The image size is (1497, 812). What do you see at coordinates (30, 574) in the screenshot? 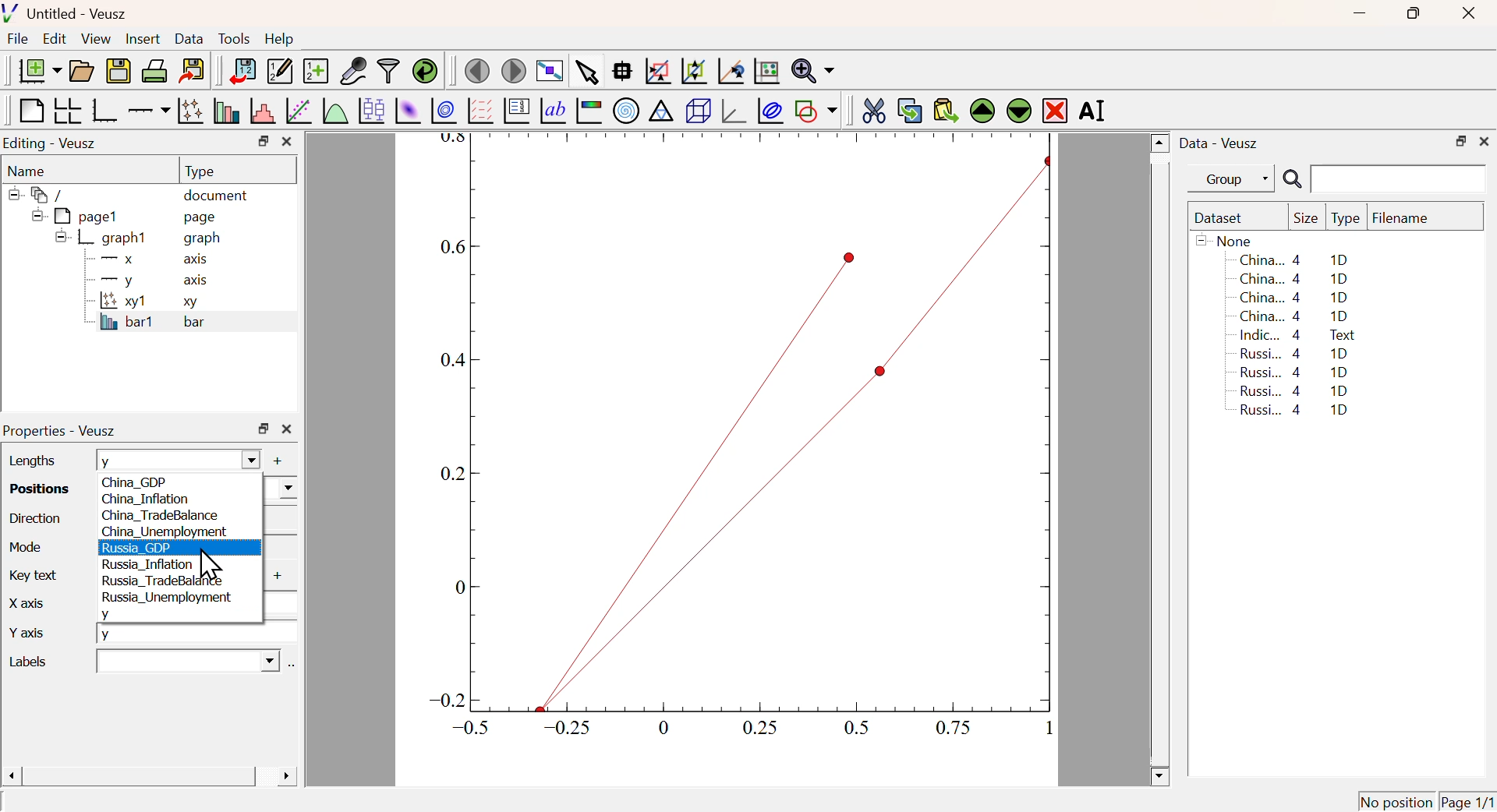
I see `Key Text` at bounding box center [30, 574].